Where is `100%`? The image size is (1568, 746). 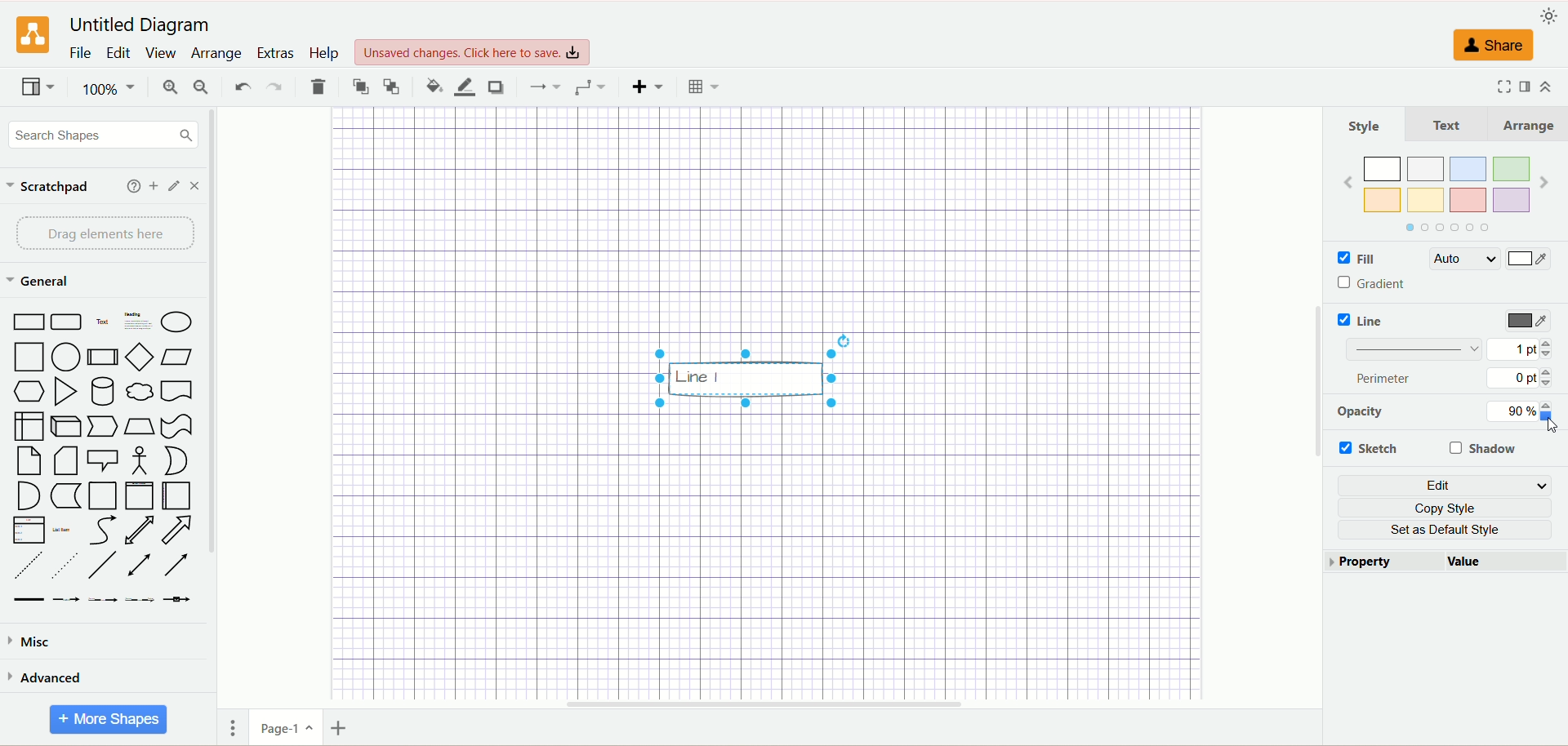 100% is located at coordinates (106, 89).